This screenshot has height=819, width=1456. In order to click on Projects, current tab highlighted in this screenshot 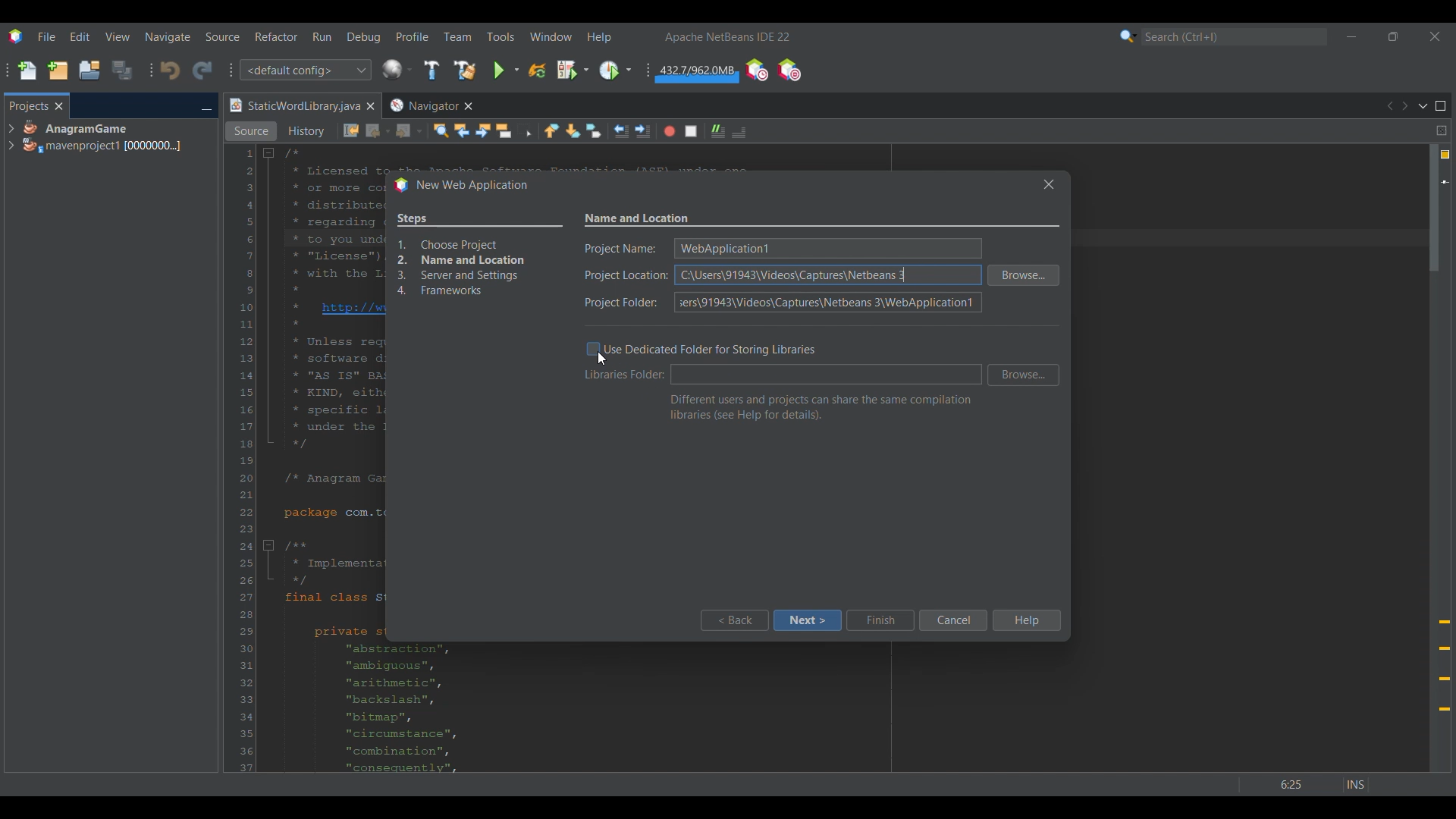, I will do `click(28, 105)`.